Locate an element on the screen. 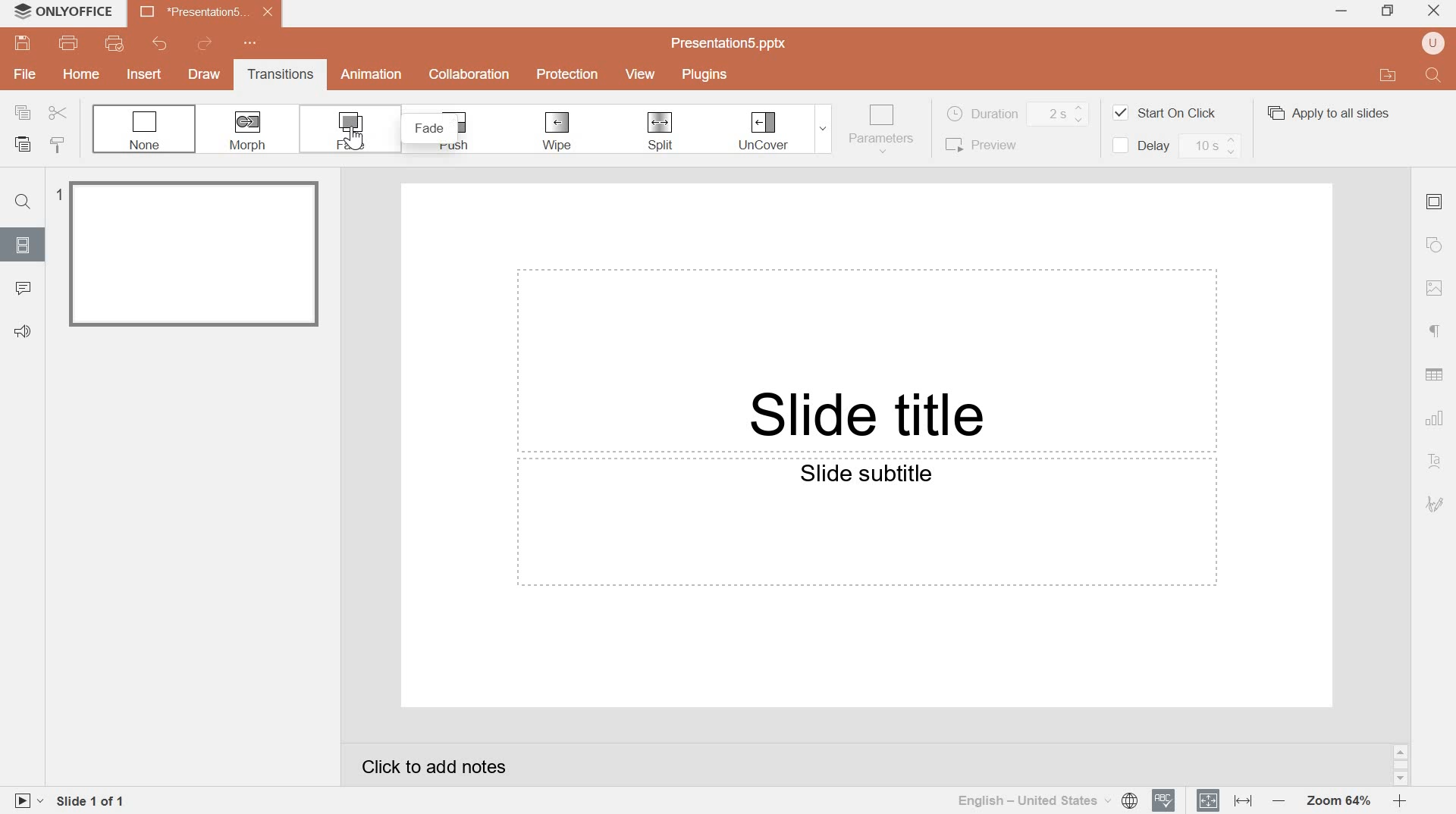 The height and width of the screenshot is (814, 1456). click to add notes is located at coordinates (435, 767).